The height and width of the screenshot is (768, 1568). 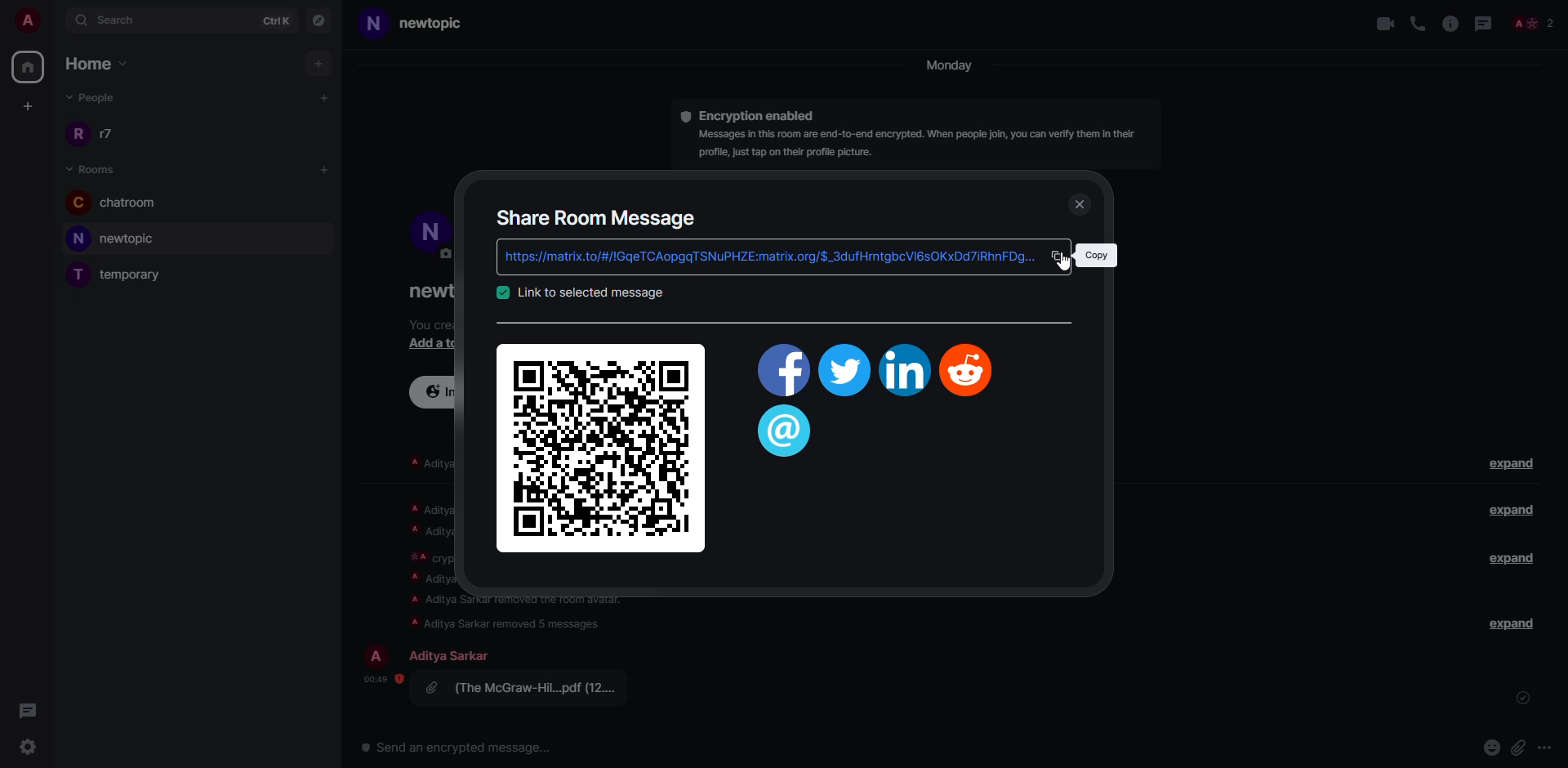 I want to click on attach, so click(x=1518, y=747).